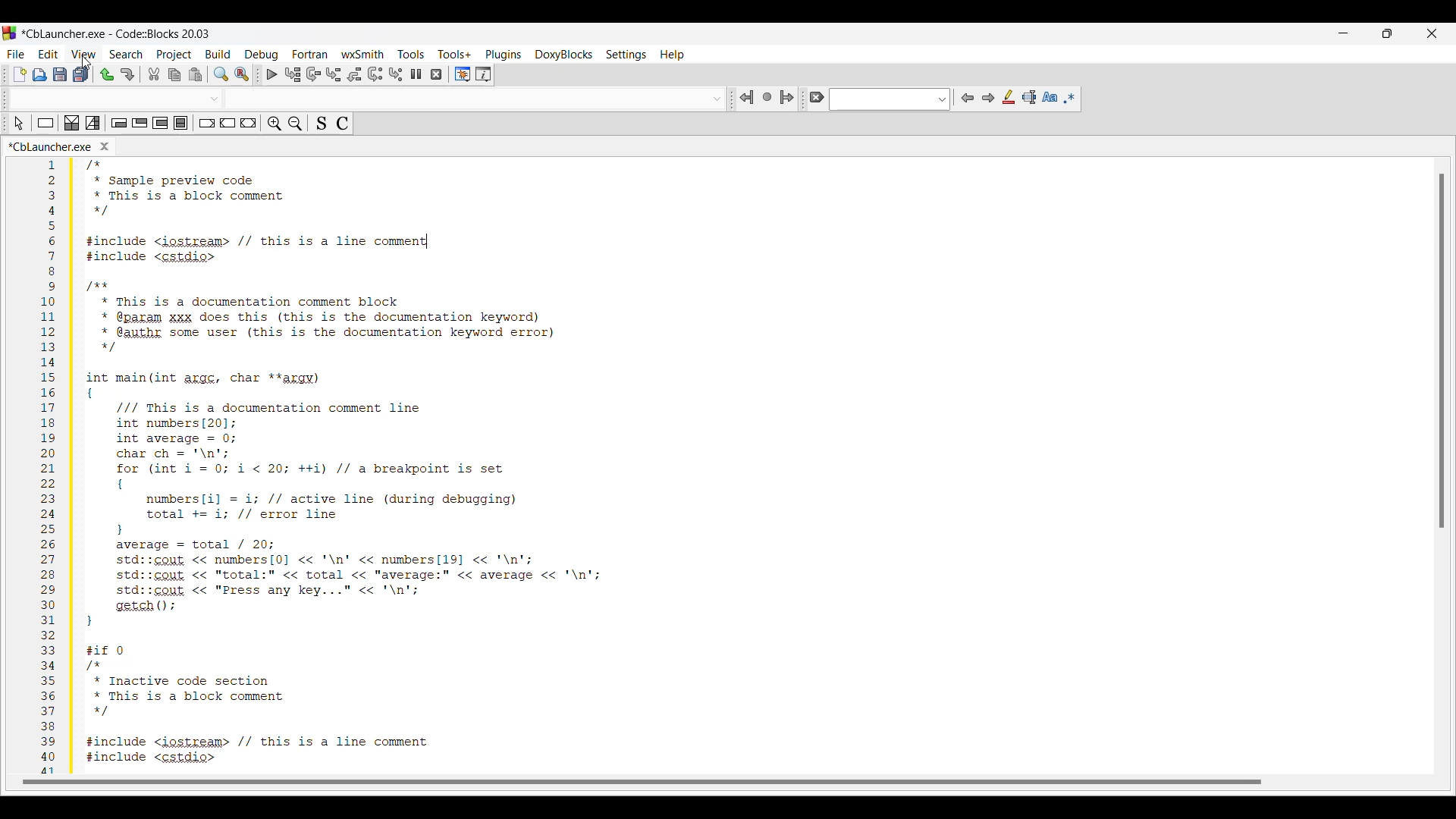 This screenshot has width=1456, height=819. Describe the element at coordinates (1069, 99) in the screenshot. I see `Use regex` at that location.